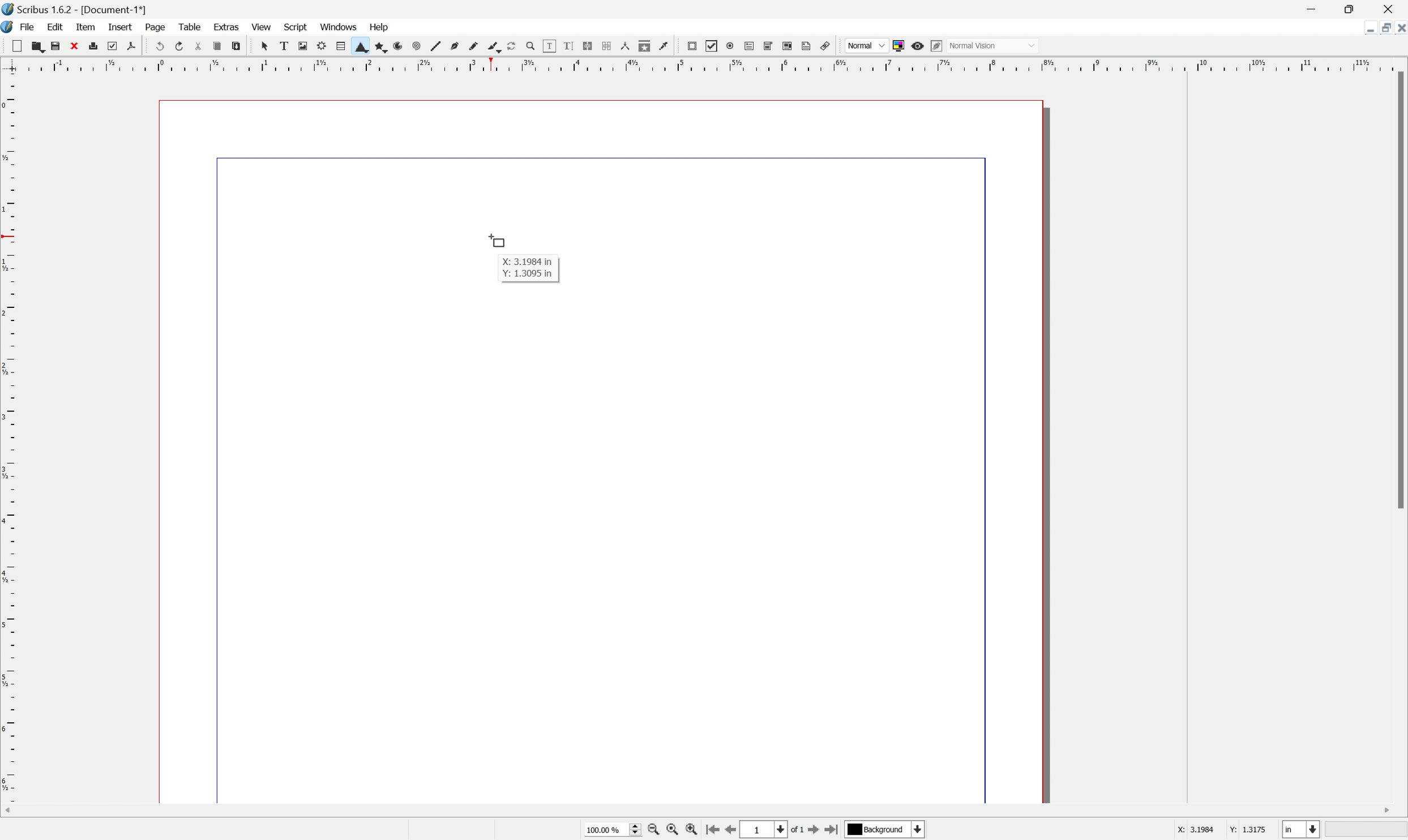 This screenshot has width=1408, height=840. I want to click on Normal, so click(867, 45).